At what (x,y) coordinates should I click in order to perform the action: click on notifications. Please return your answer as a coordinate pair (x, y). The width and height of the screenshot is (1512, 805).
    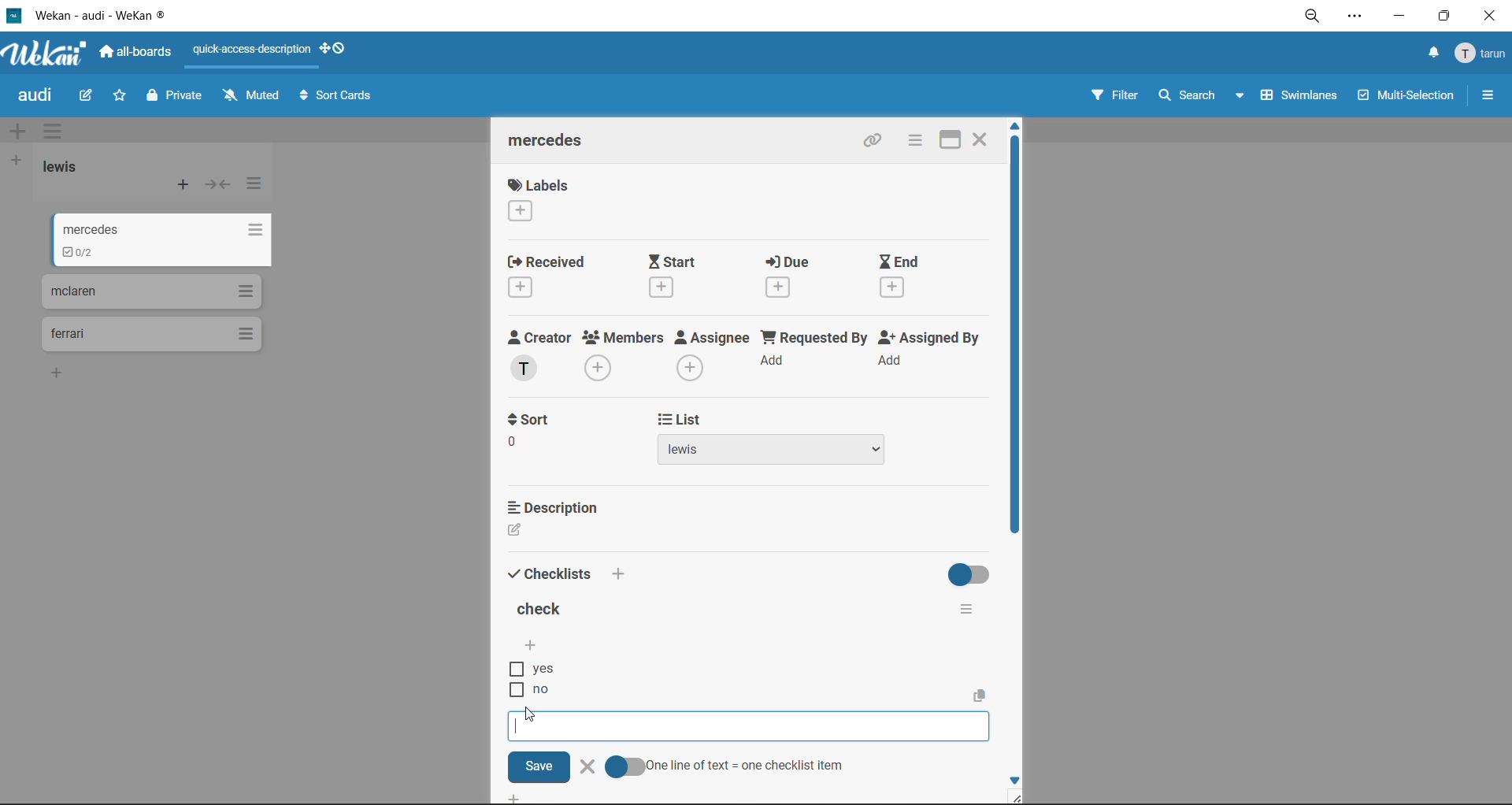
    Looking at the image, I should click on (1431, 54).